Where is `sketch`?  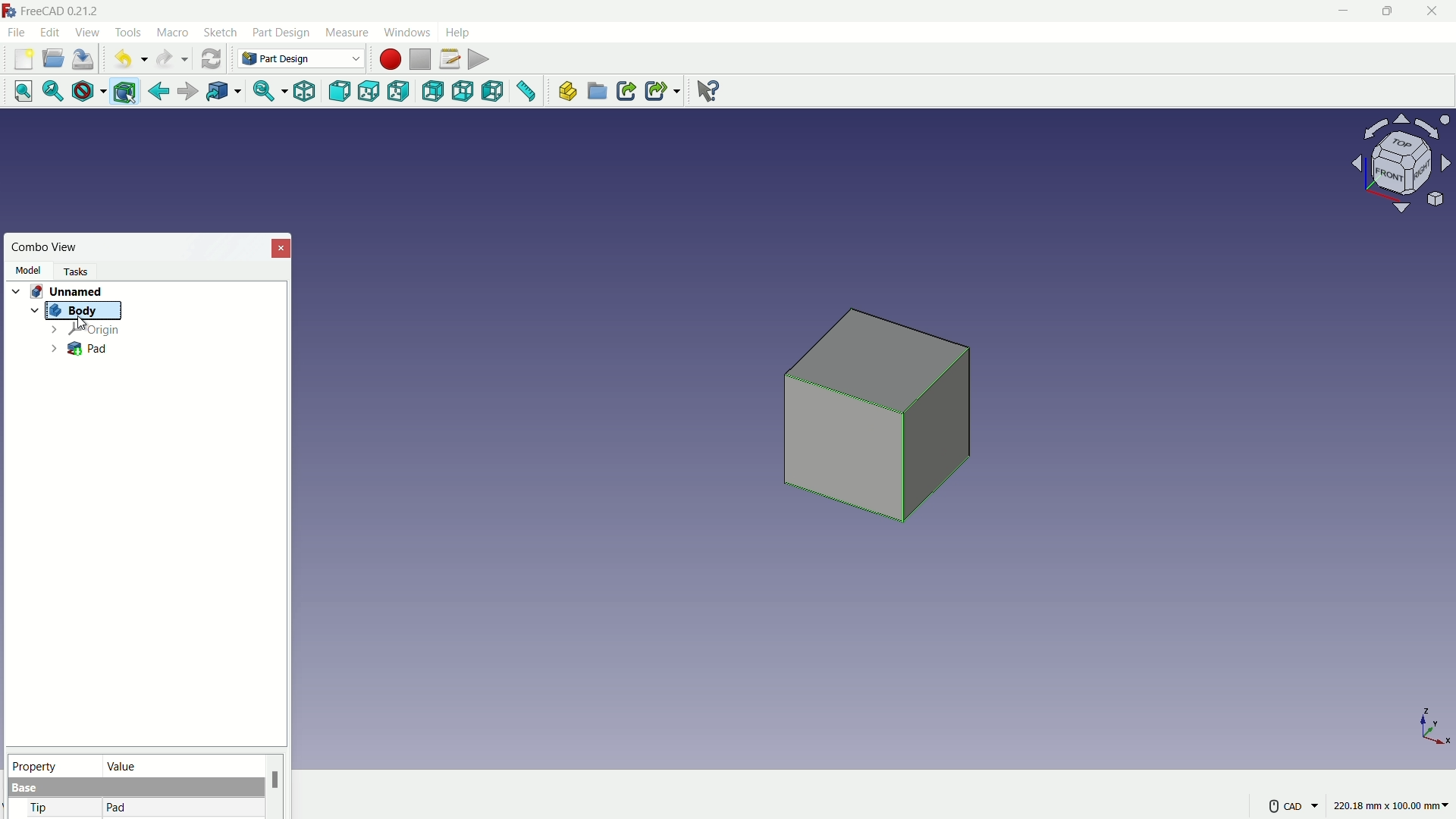
sketch is located at coordinates (221, 33).